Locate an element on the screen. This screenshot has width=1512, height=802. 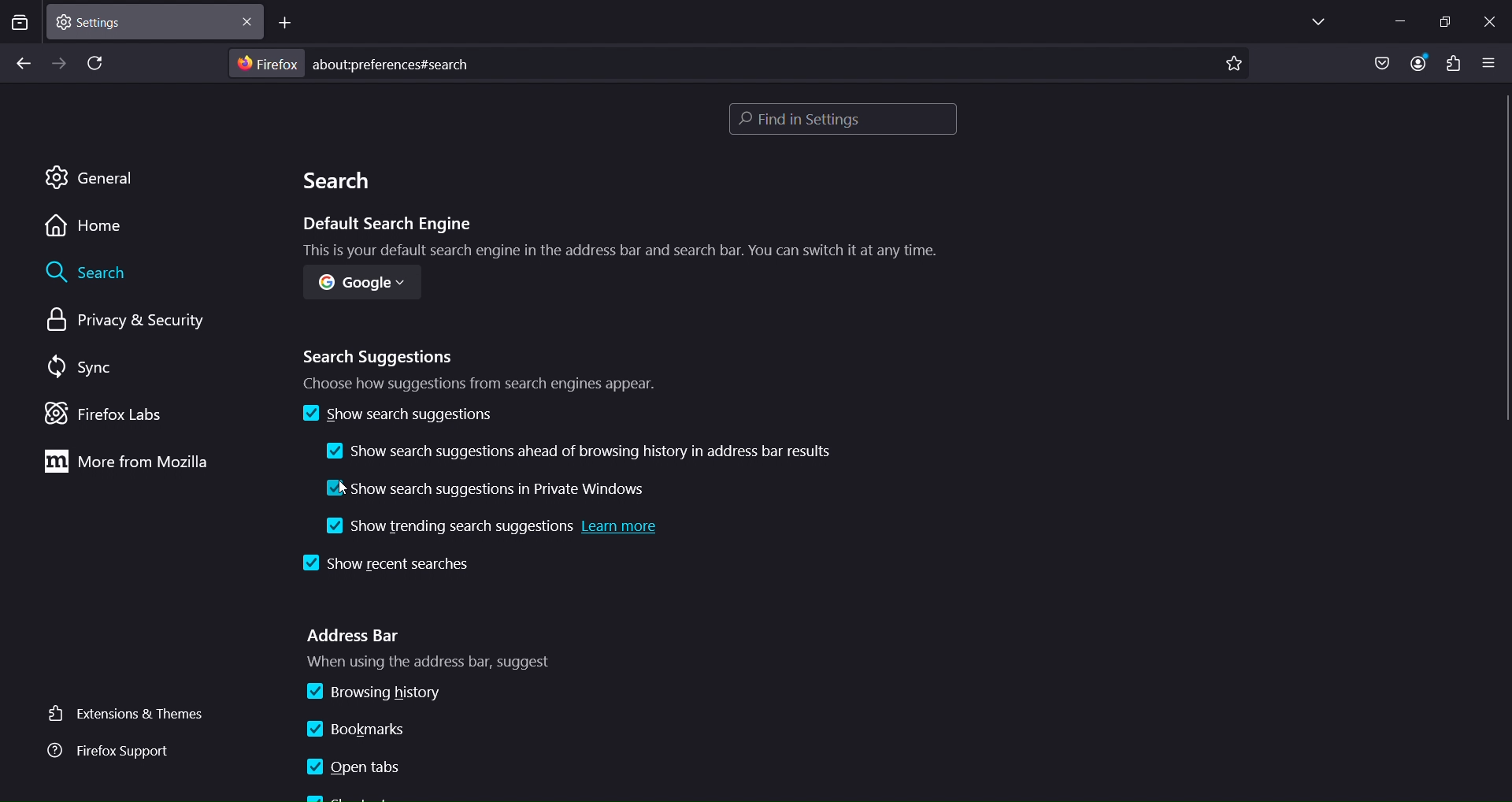
open tabs is located at coordinates (354, 767).